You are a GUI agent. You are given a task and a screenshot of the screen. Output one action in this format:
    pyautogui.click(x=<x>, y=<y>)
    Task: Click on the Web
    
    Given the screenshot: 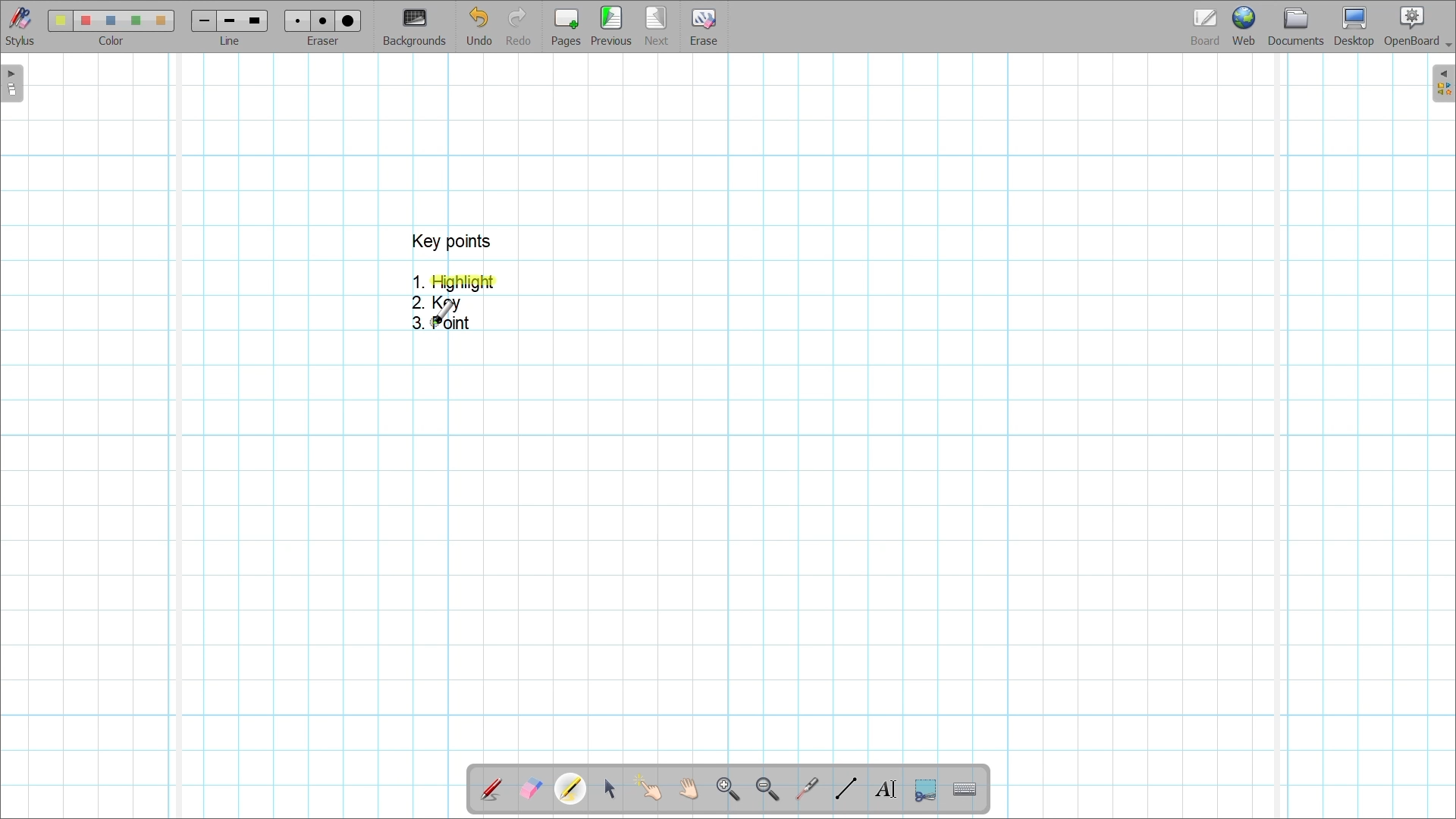 What is the action you would take?
    pyautogui.click(x=1244, y=26)
    